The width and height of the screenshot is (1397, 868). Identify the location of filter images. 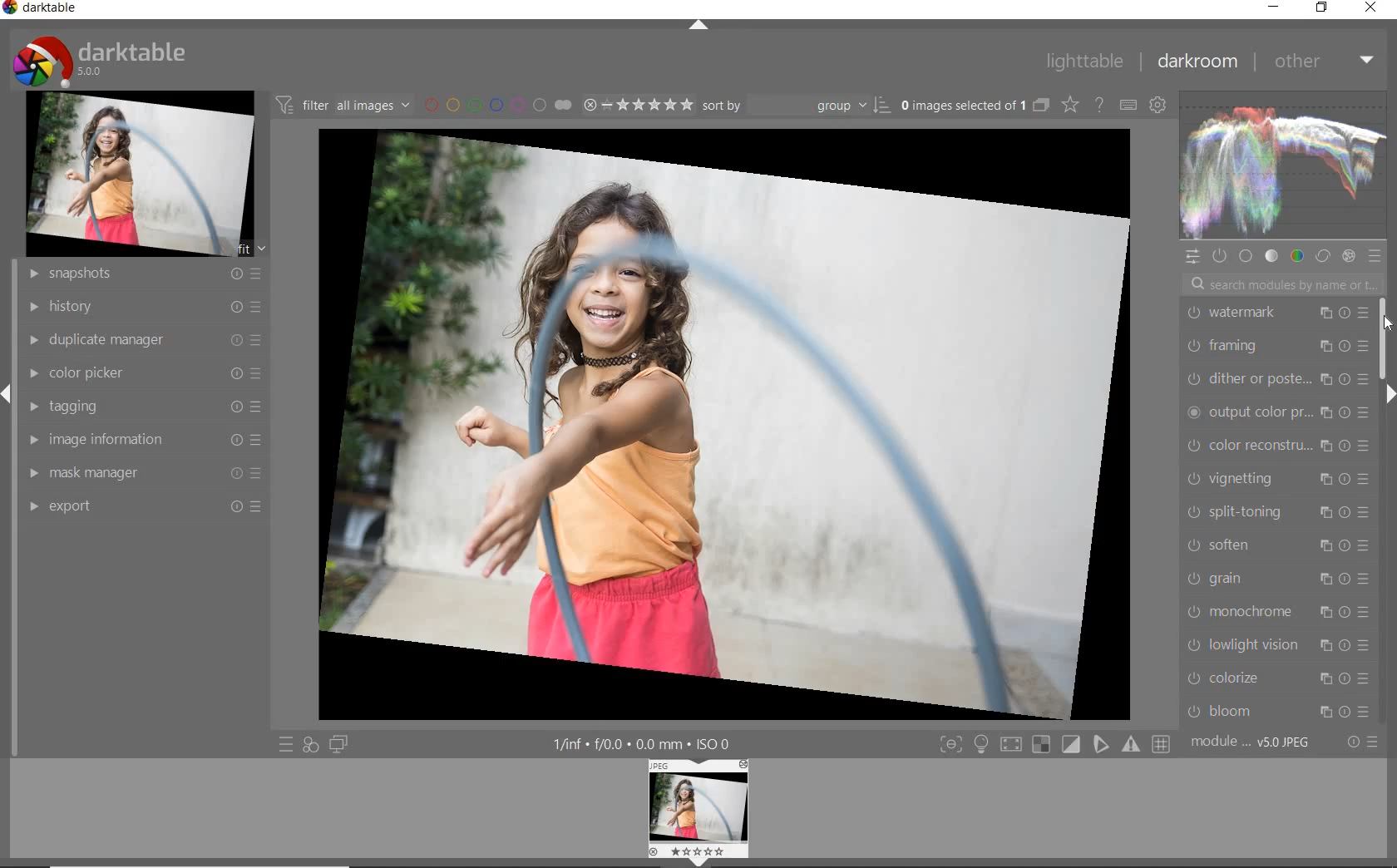
(343, 104).